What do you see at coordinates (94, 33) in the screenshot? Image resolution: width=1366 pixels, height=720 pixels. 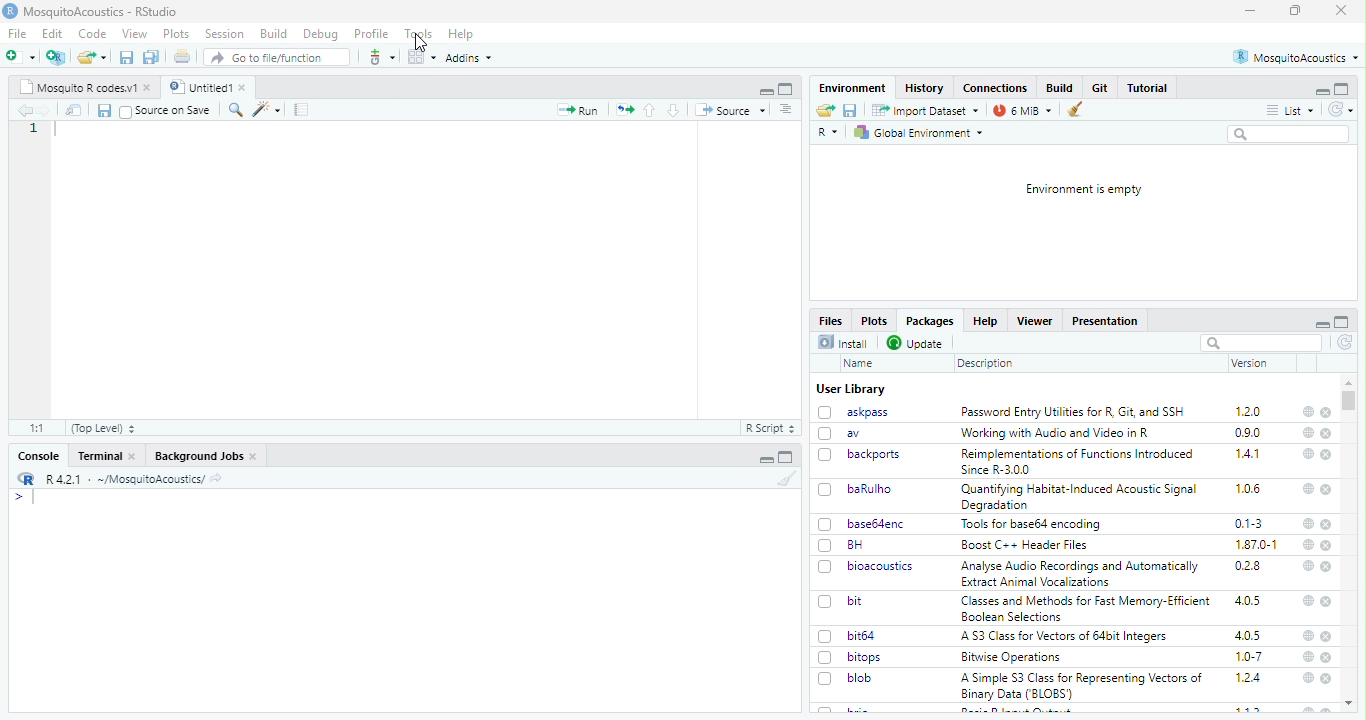 I see `Code` at bounding box center [94, 33].